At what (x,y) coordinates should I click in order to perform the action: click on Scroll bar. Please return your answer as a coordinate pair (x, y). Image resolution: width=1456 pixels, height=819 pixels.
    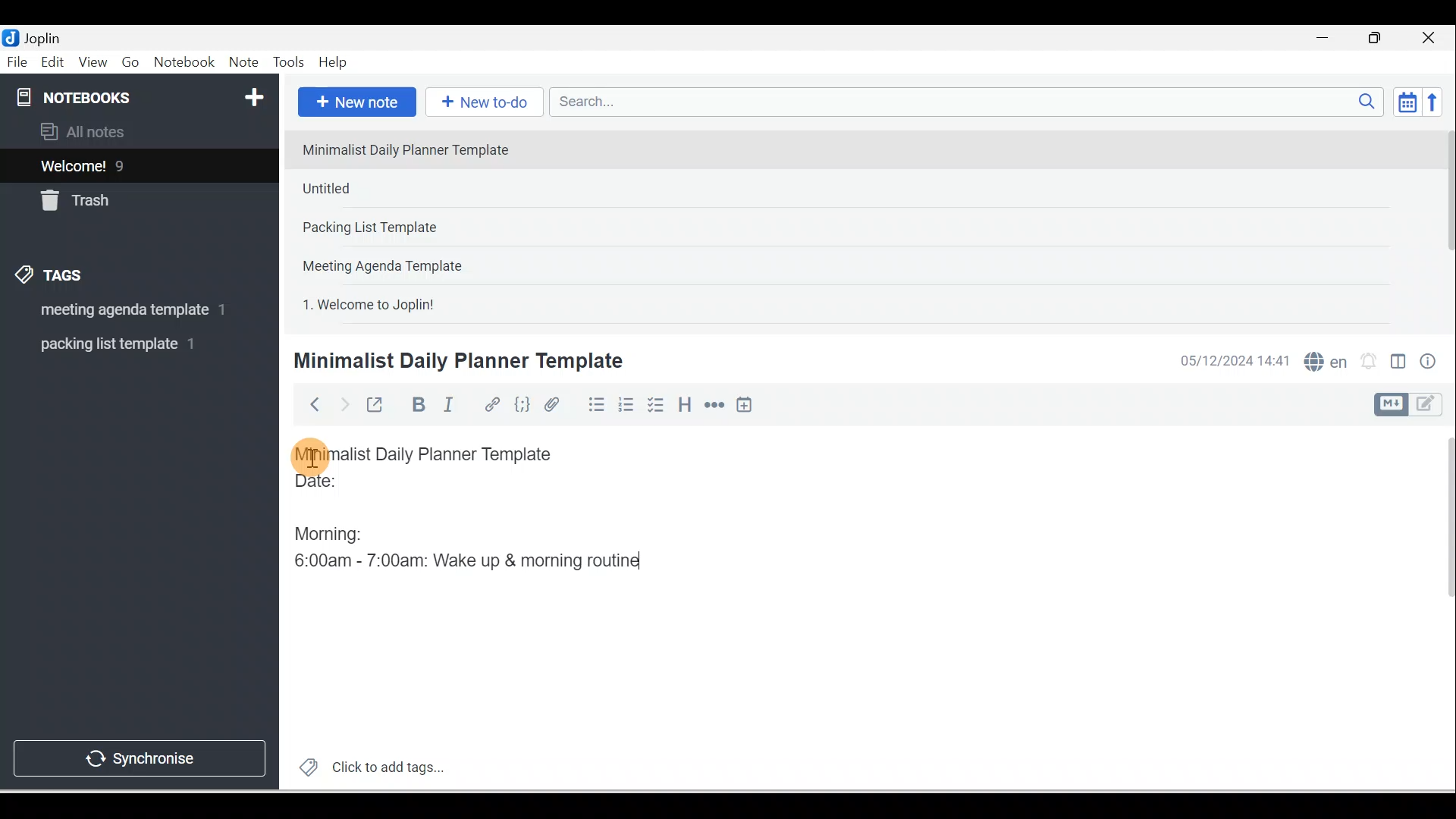
    Looking at the image, I should click on (1439, 608).